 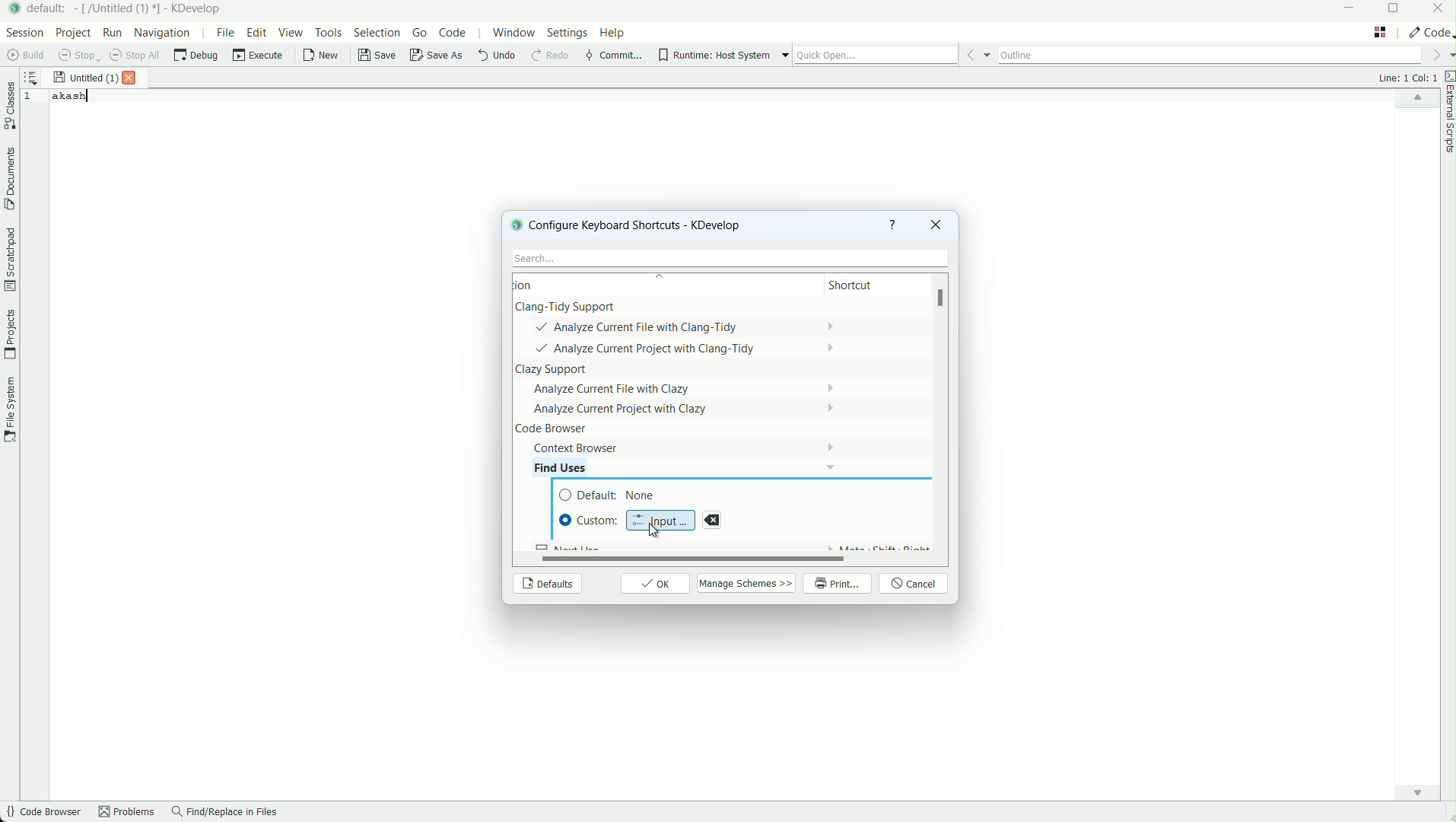 I want to click on actions, so click(x=669, y=378).